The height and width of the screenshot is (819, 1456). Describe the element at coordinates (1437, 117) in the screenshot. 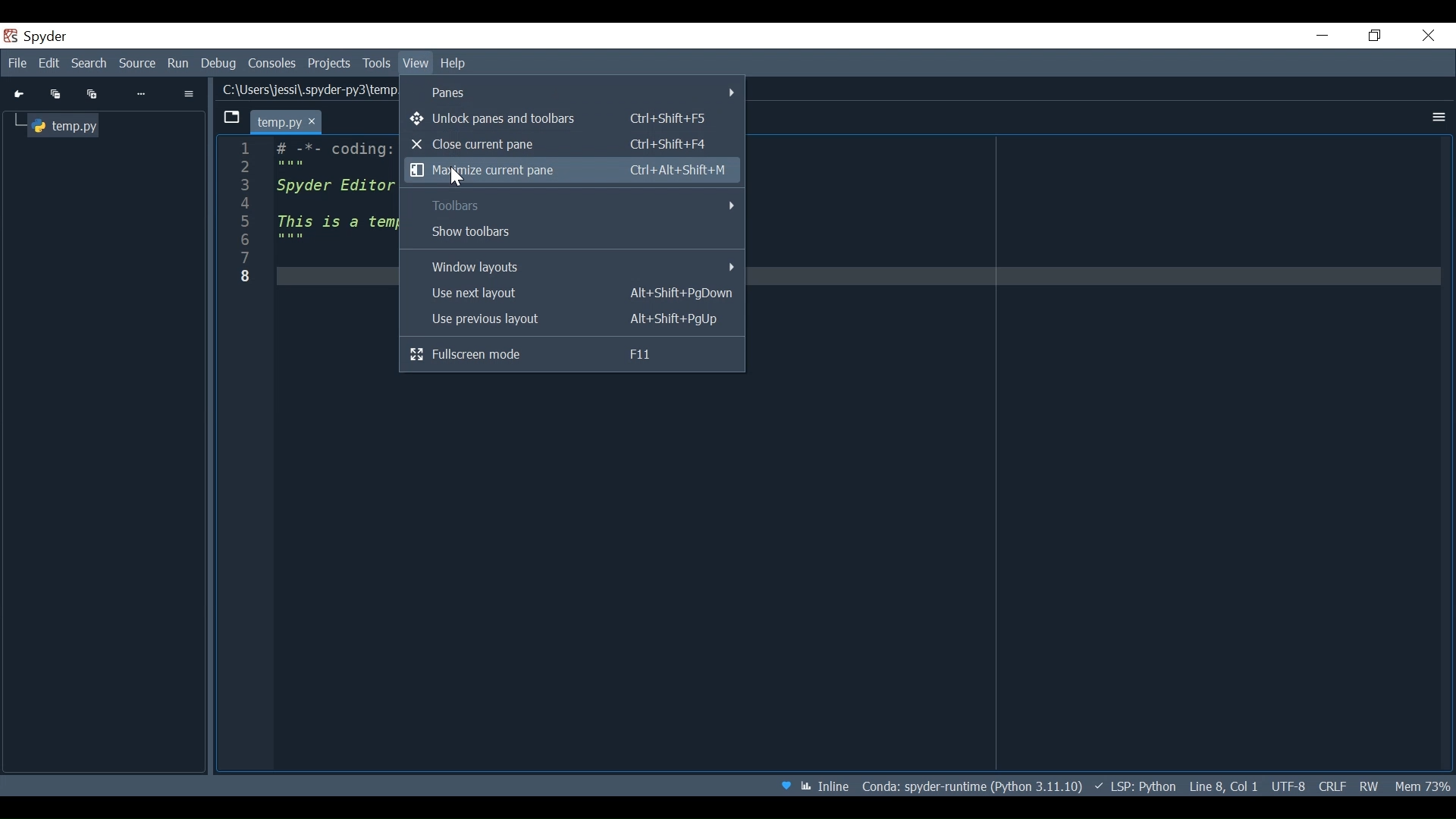

I see `More Options` at that location.